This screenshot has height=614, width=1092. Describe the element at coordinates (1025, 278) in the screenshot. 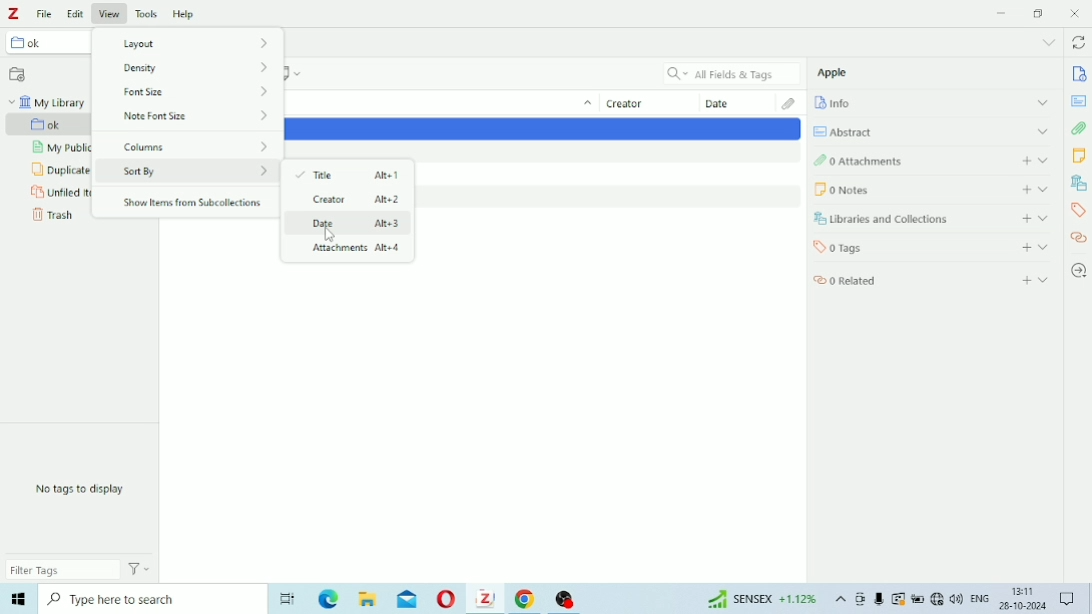

I see `add` at that location.